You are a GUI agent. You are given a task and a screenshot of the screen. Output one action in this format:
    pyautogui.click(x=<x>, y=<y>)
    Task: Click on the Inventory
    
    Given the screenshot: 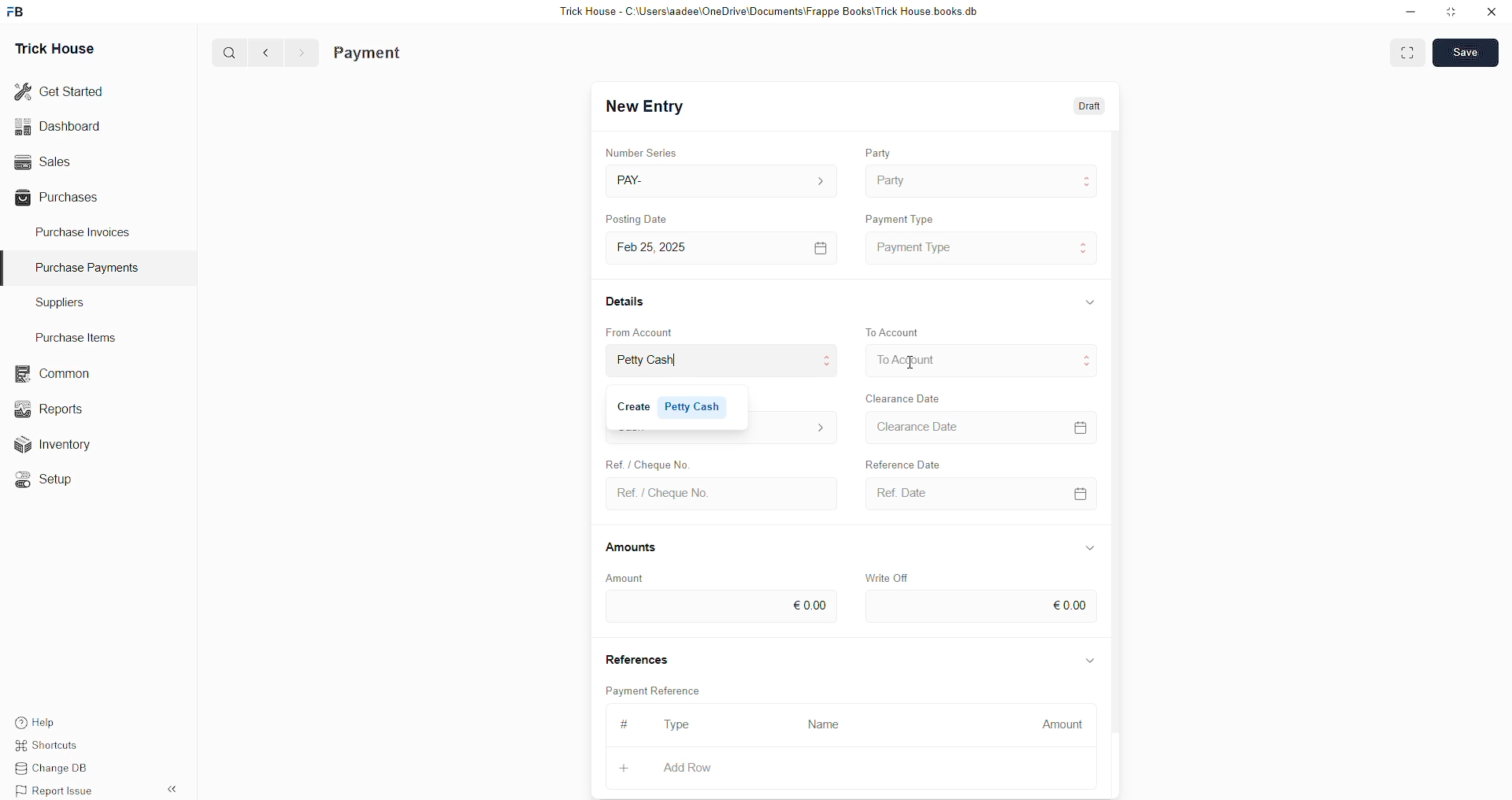 What is the action you would take?
    pyautogui.click(x=61, y=448)
    